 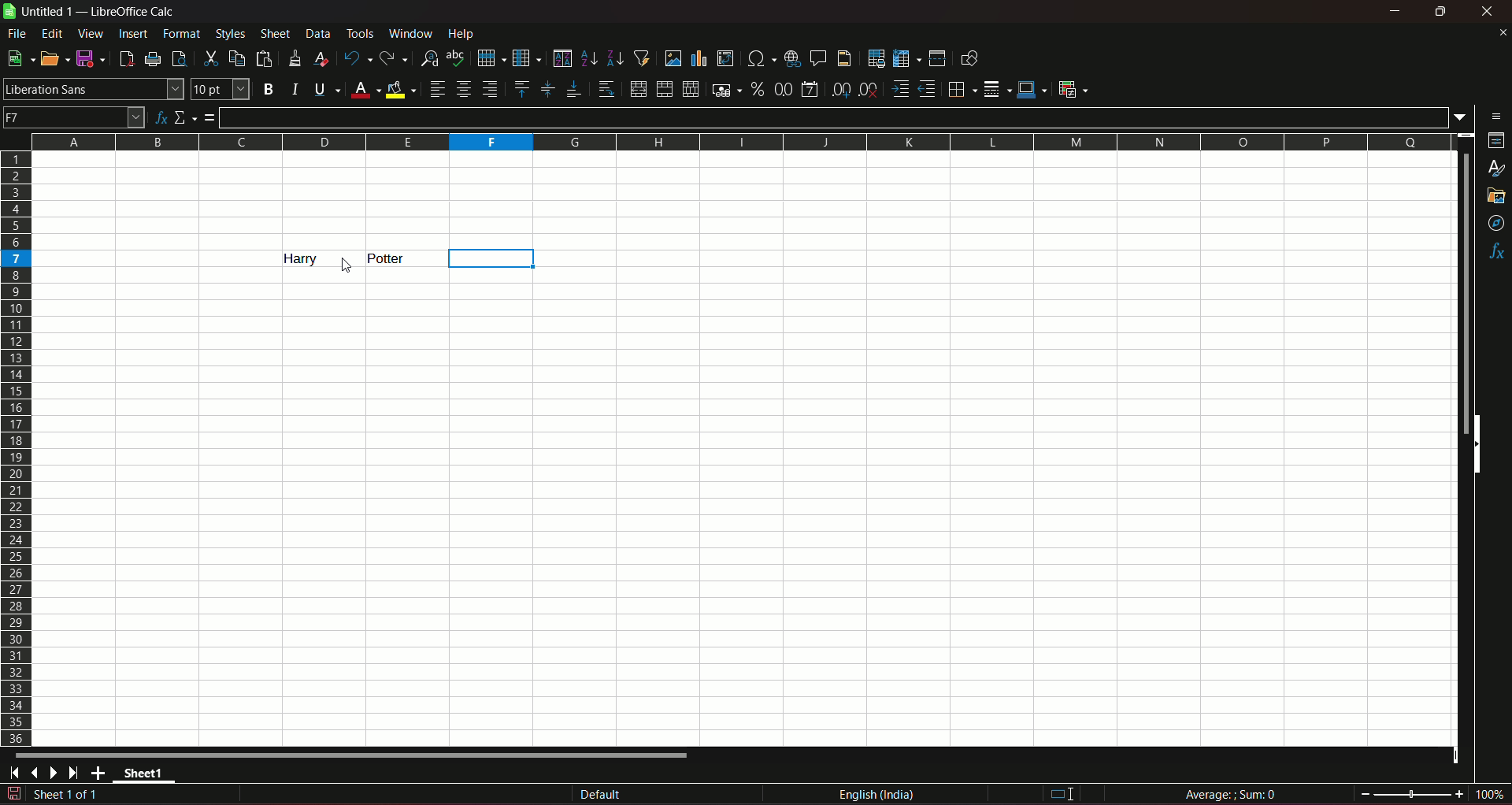 I want to click on scroll to last, so click(x=78, y=773).